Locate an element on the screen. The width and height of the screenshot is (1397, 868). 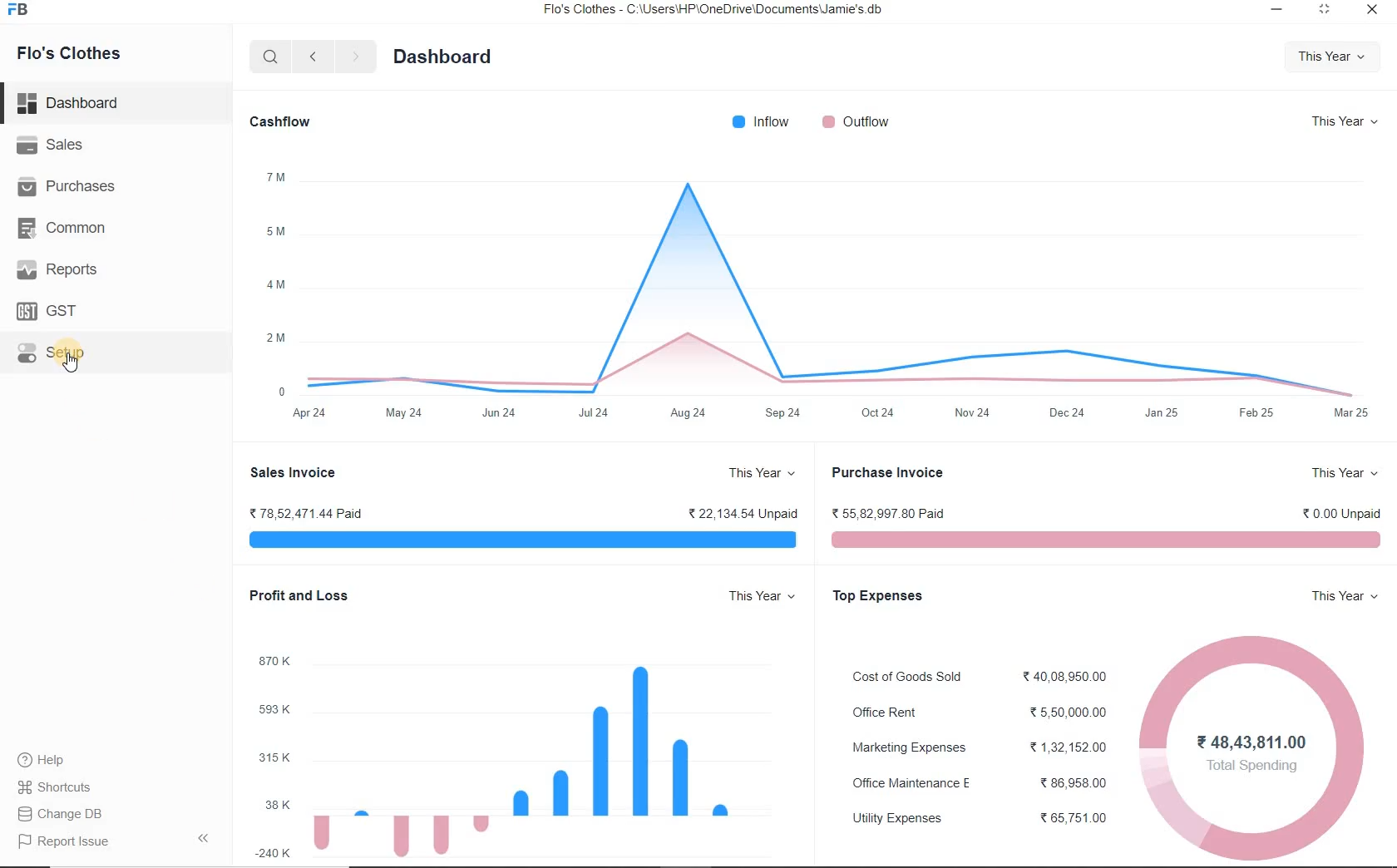
outflow is located at coordinates (858, 125).